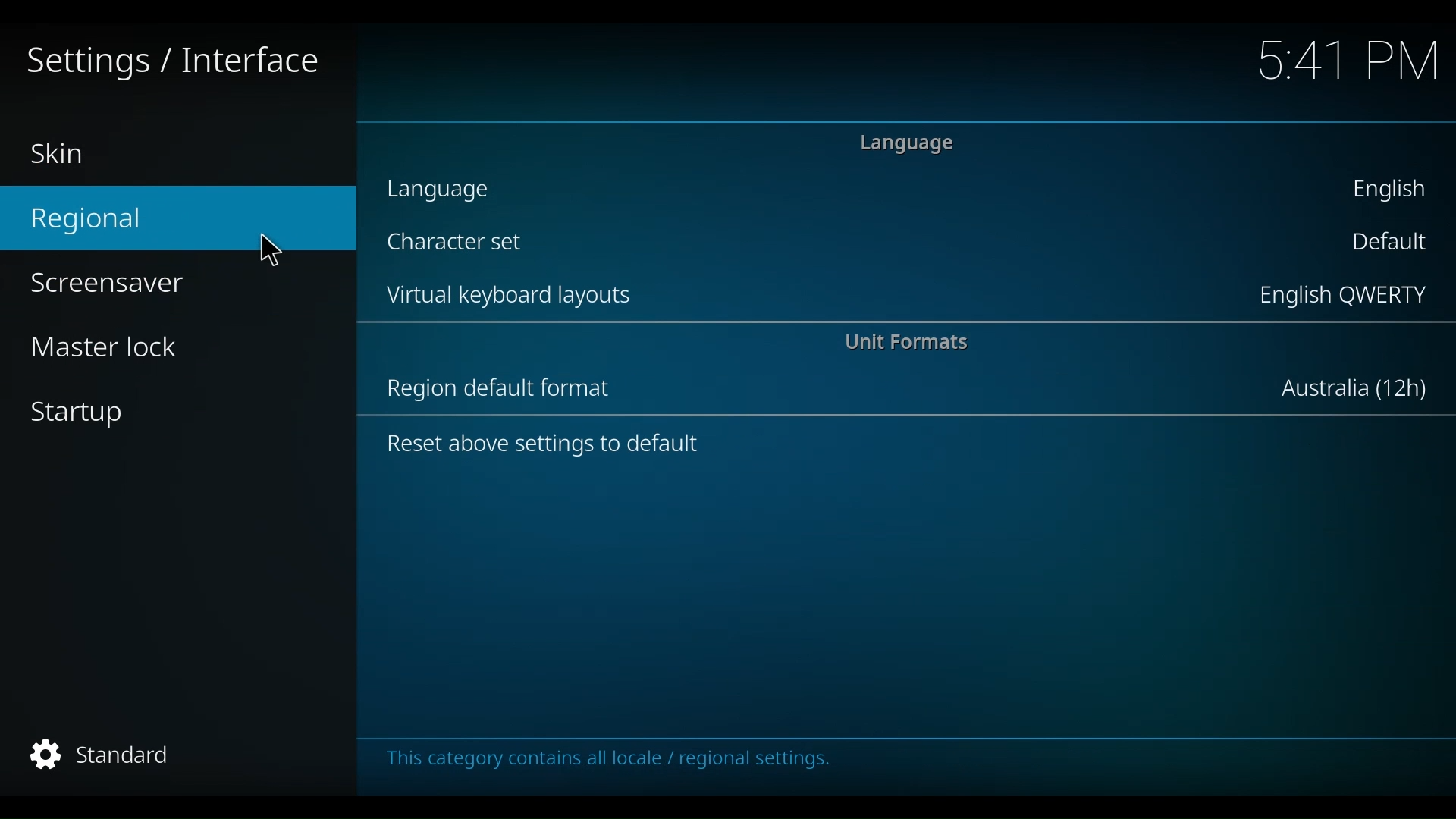  I want to click on Unit Format, so click(906, 344).